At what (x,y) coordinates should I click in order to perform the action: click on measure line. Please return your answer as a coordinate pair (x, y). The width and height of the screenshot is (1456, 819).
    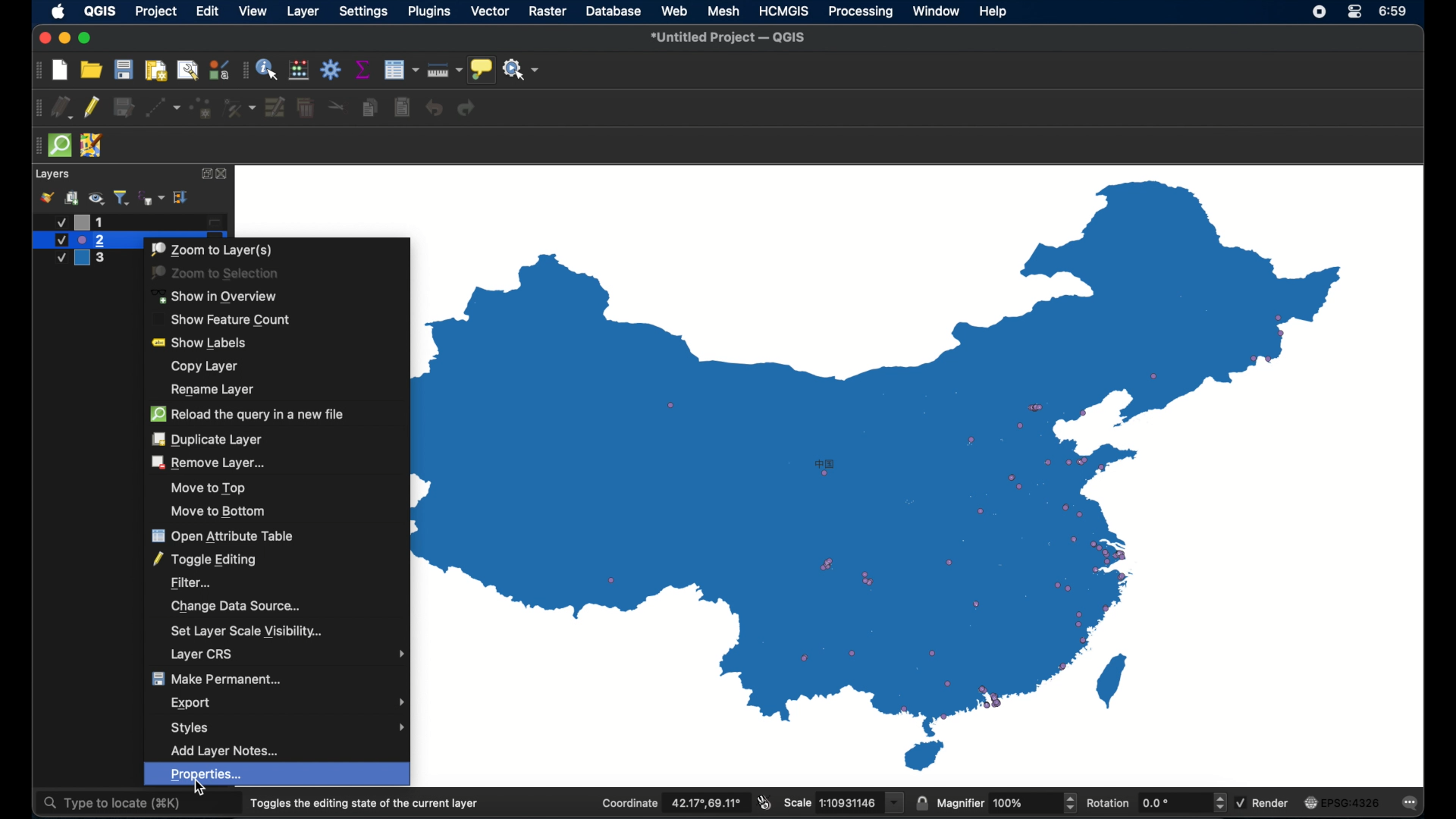
    Looking at the image, I should click on (445, 70).